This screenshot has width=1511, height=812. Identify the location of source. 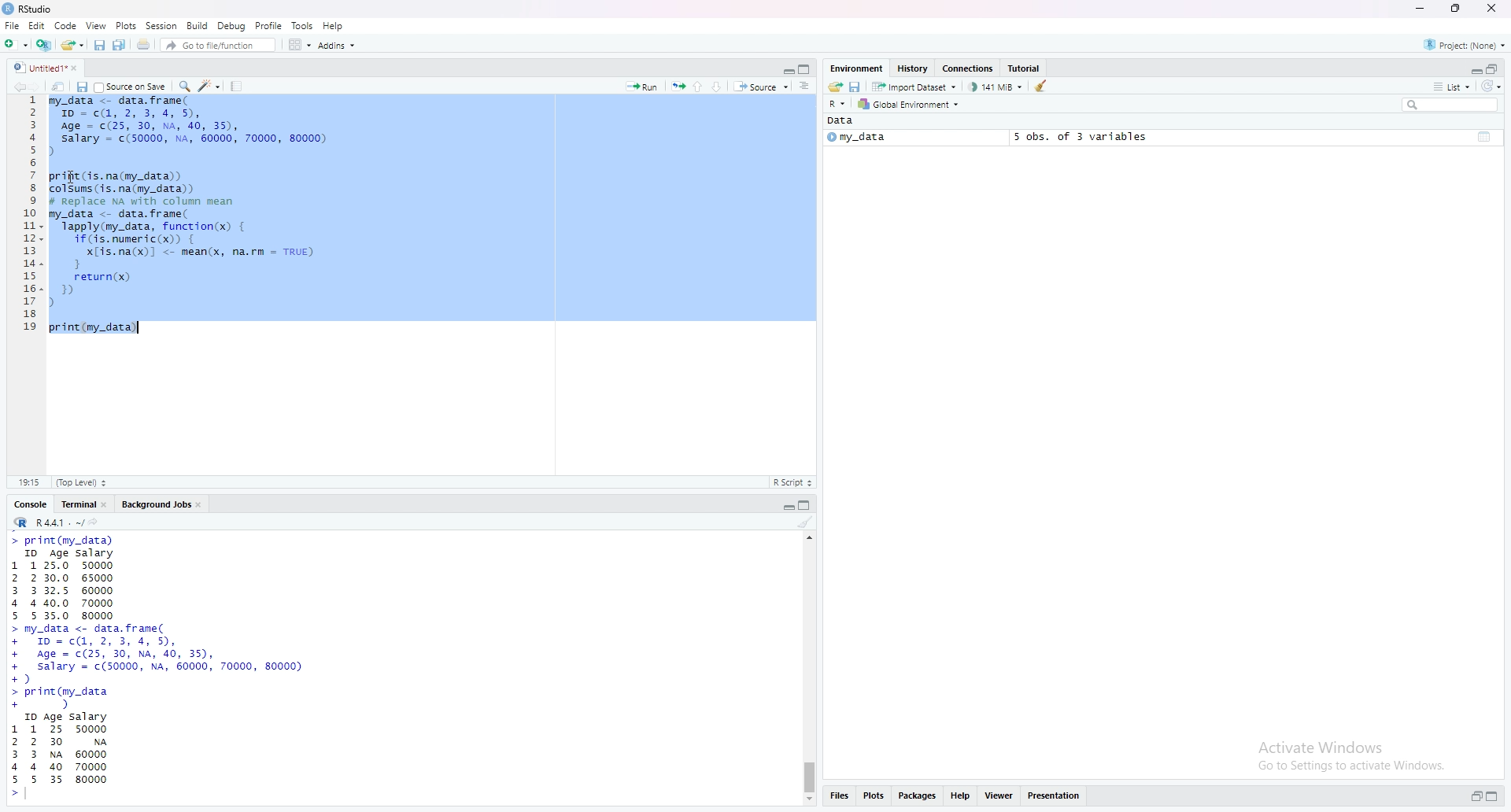
(762, 88).